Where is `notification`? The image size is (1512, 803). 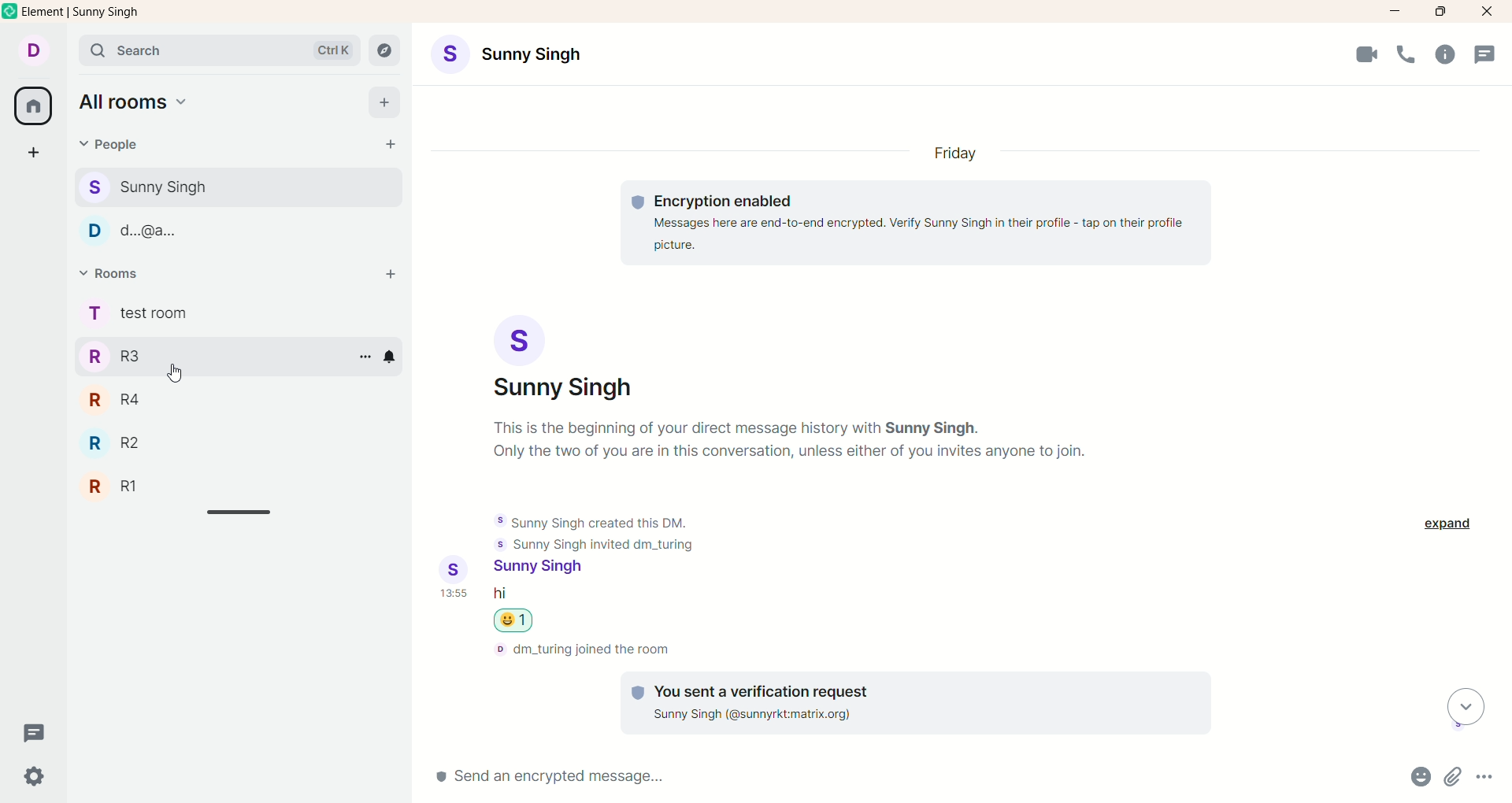 notification is located at coordinates (391, 354).